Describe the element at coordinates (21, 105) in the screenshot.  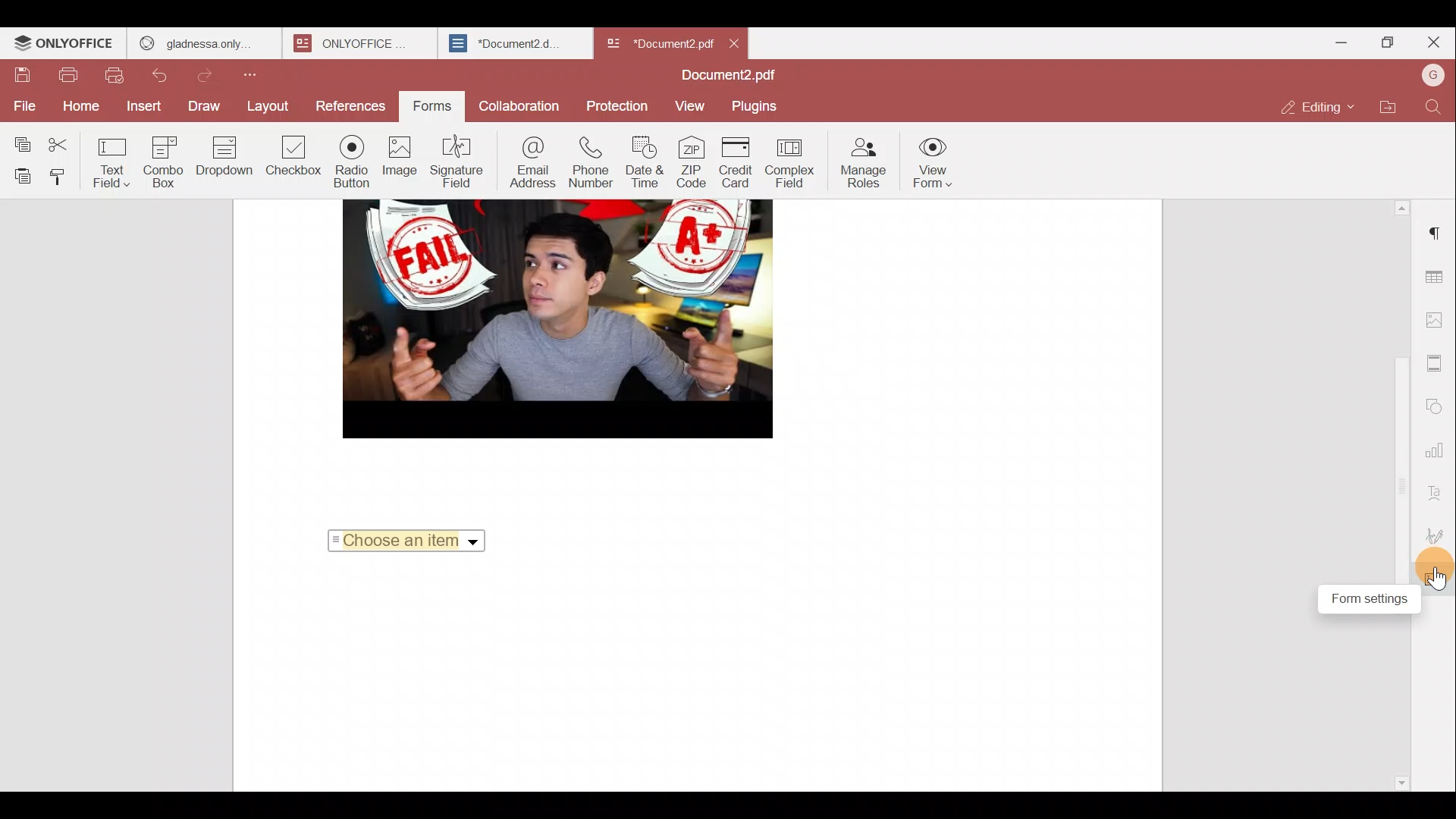
I see `File` at that location.